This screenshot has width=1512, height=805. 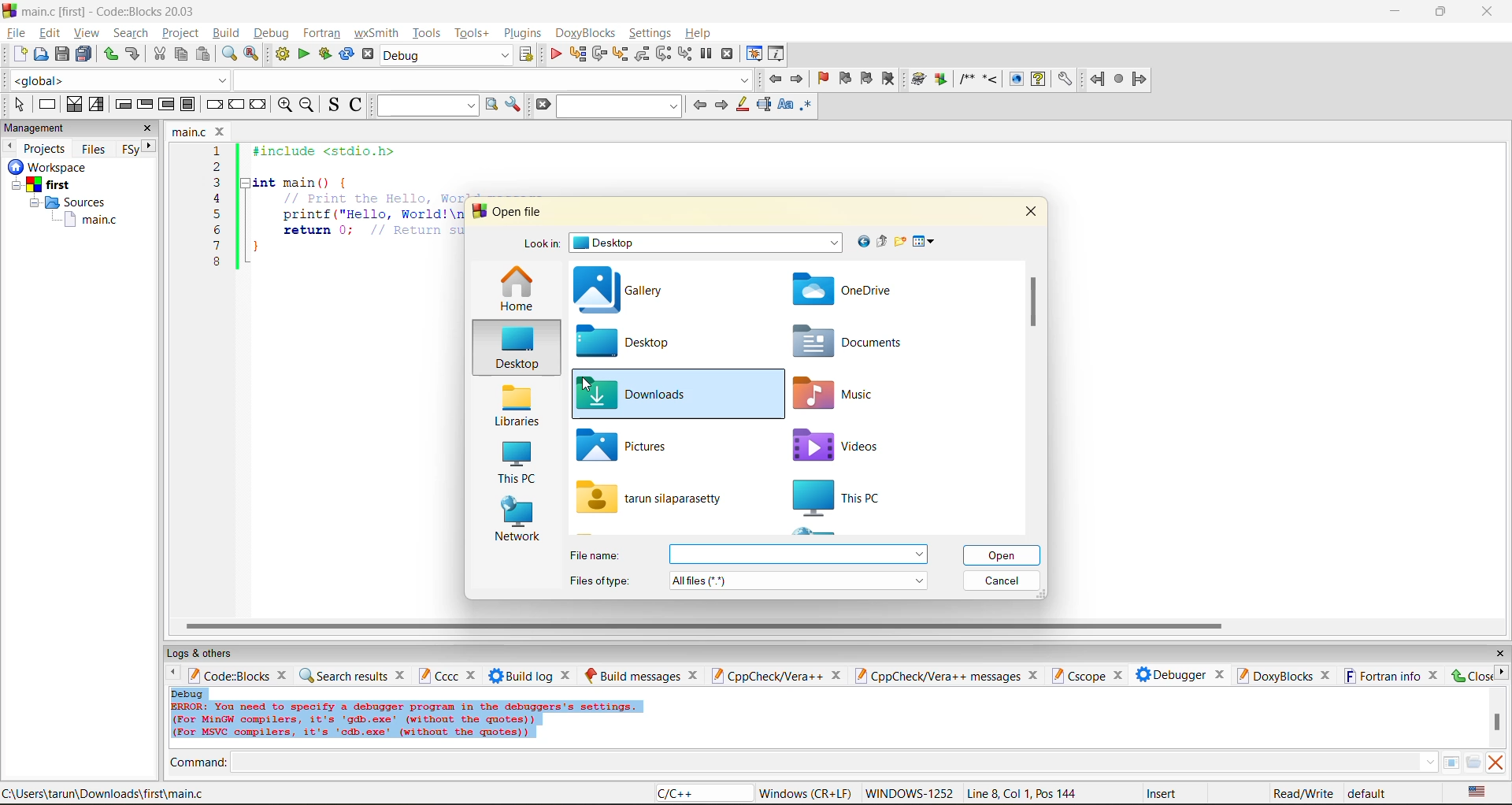 I want to click on 3, so click(x=217, y=182).